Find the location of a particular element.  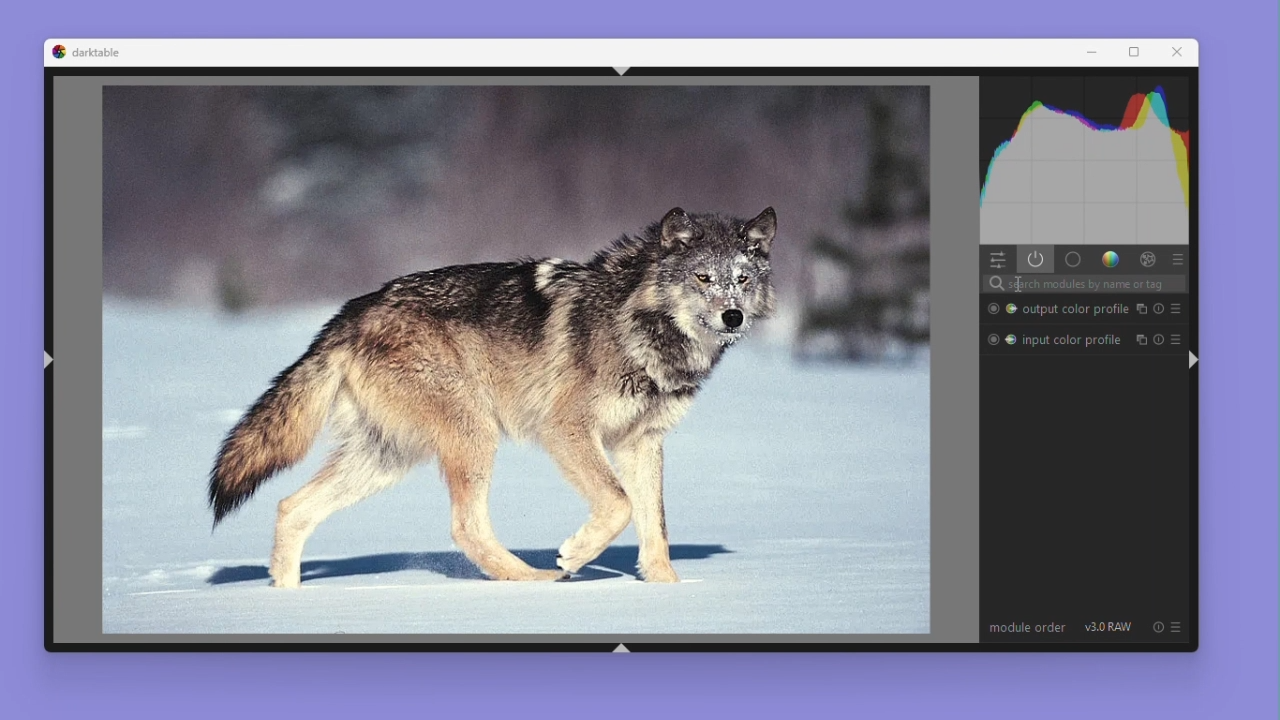

Output colour profile is located at coordinates (1053, 309).